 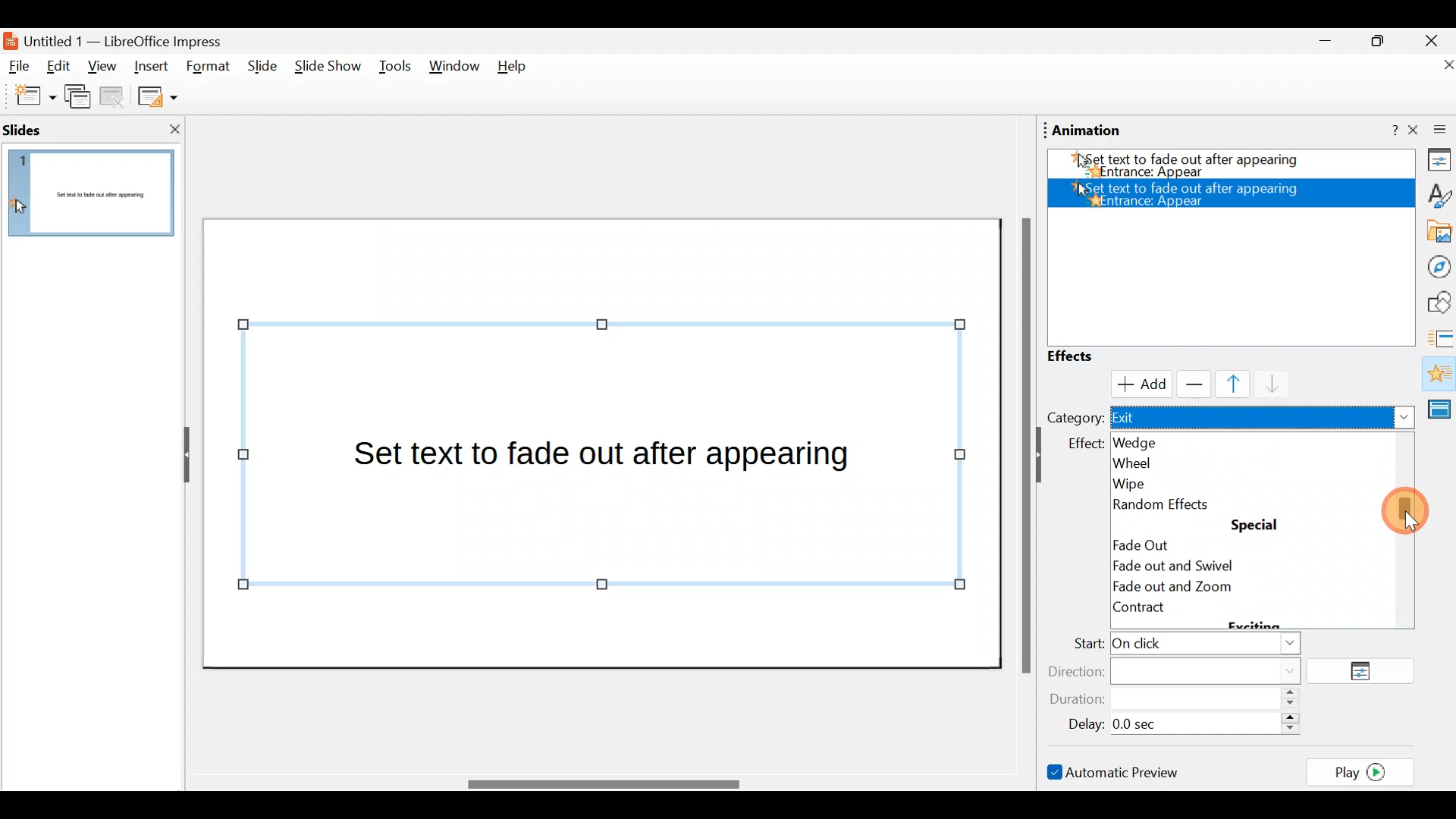 What do you see at coordinates (1143, 542) in the screenshot?
I see `Fade out` at bounding box center [1143, 542].